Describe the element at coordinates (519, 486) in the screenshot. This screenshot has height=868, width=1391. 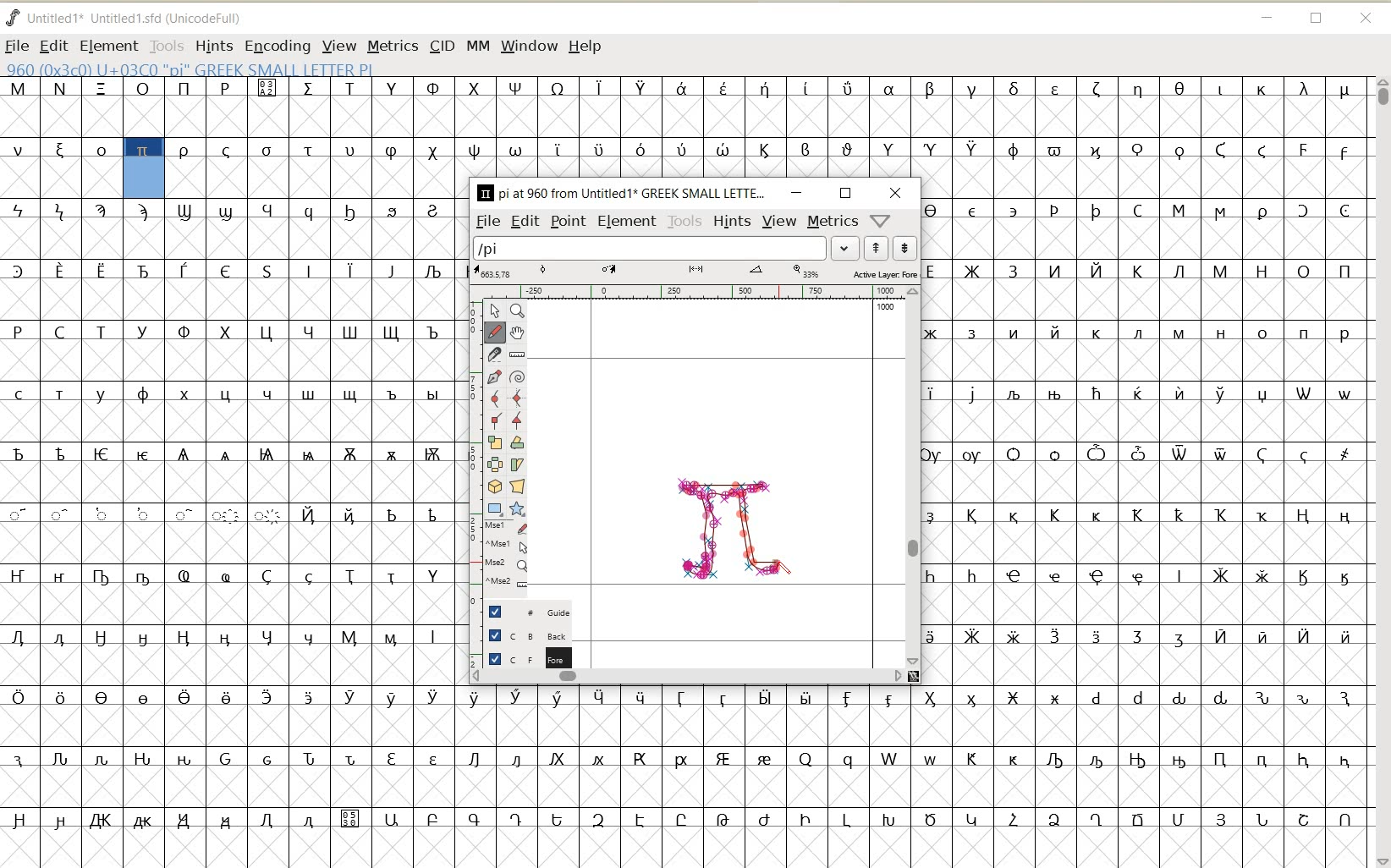
I see `perform a perspective transformation on the selection` at that location.